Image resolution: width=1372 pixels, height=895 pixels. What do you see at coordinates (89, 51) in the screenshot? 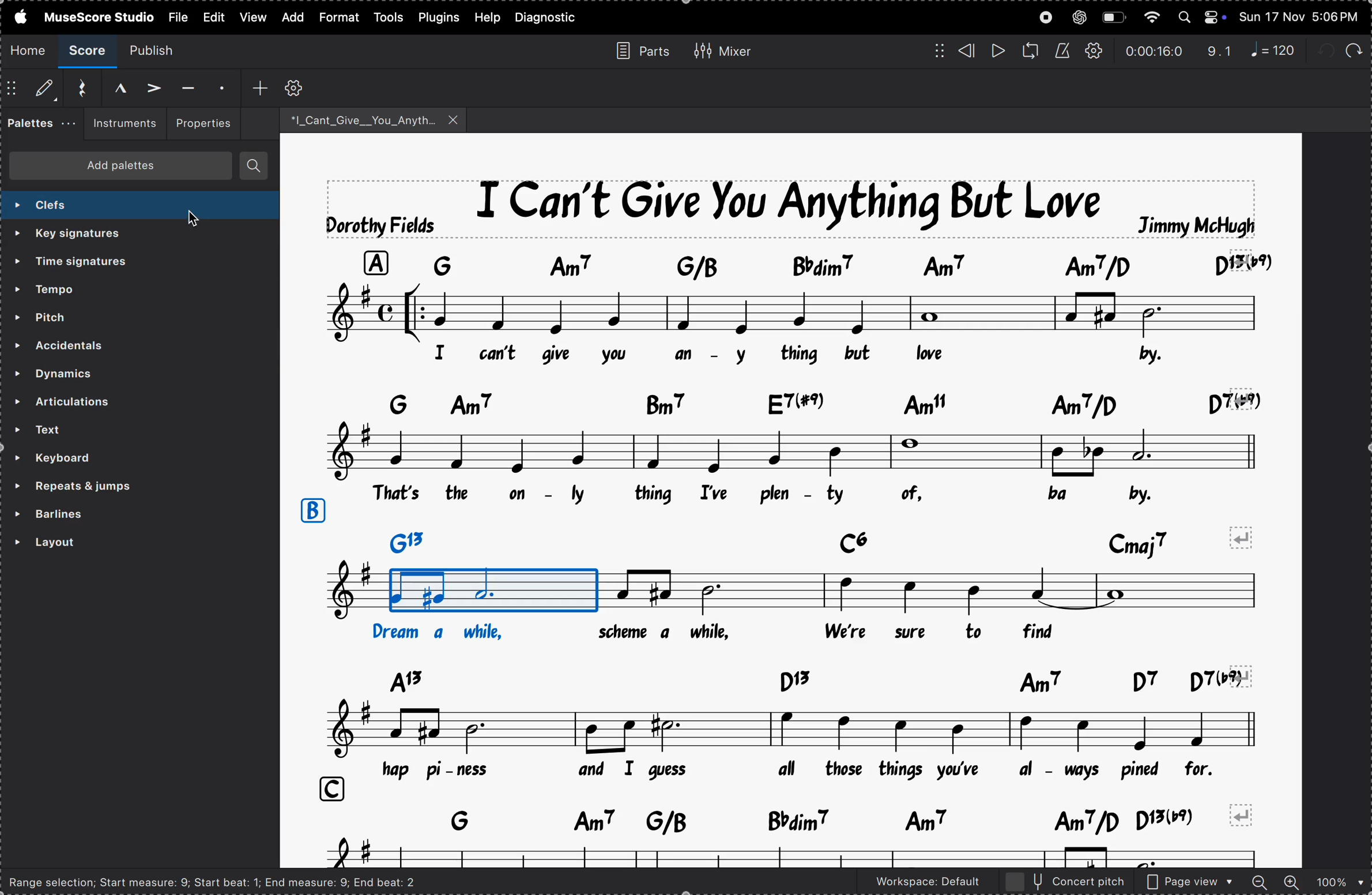
I see `score` at bounding box center [89, 51].